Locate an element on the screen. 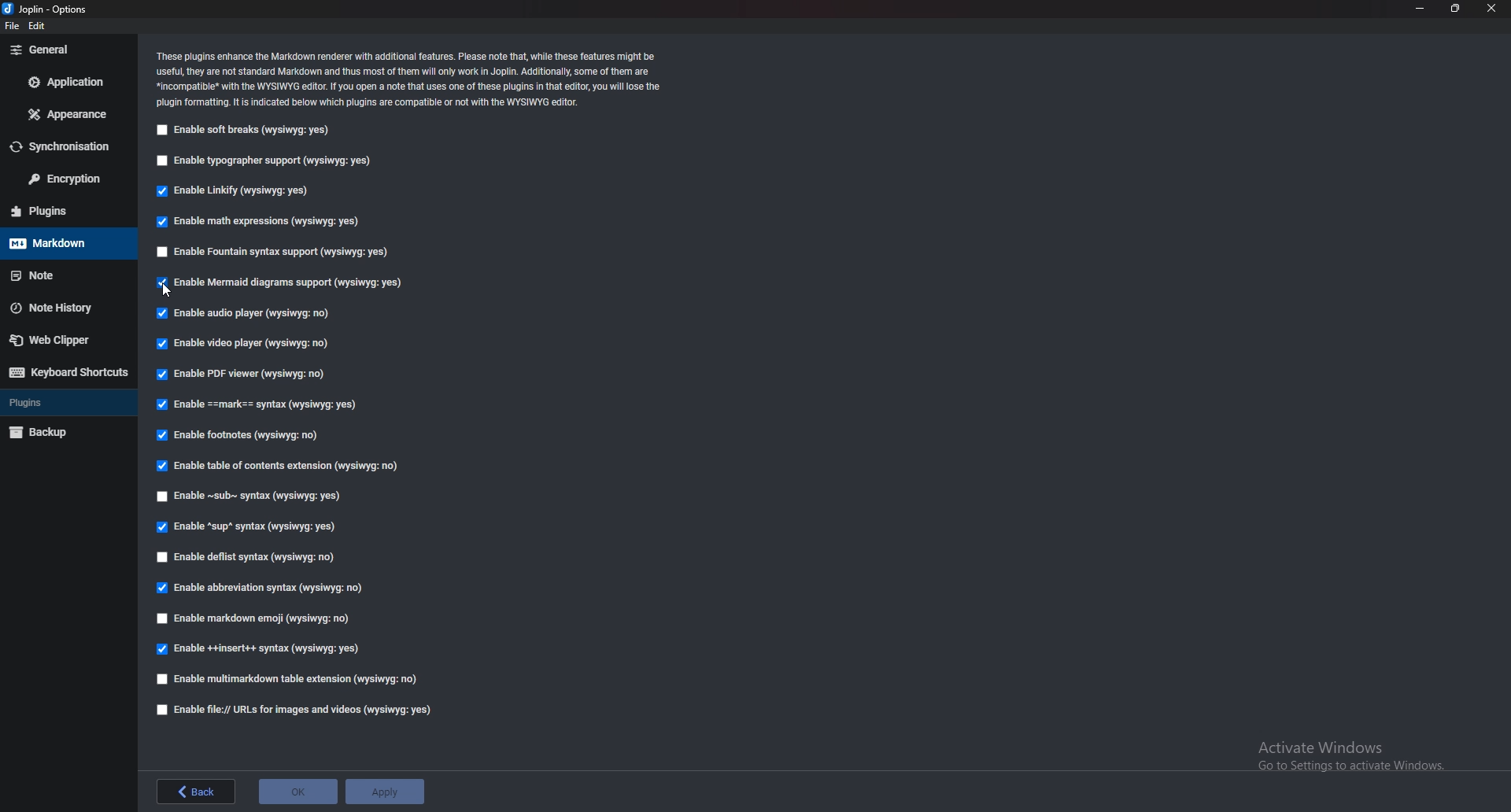 The width and height of the screenshot is (1511, 812). Enable linkify is located at coordinates (239, 193).